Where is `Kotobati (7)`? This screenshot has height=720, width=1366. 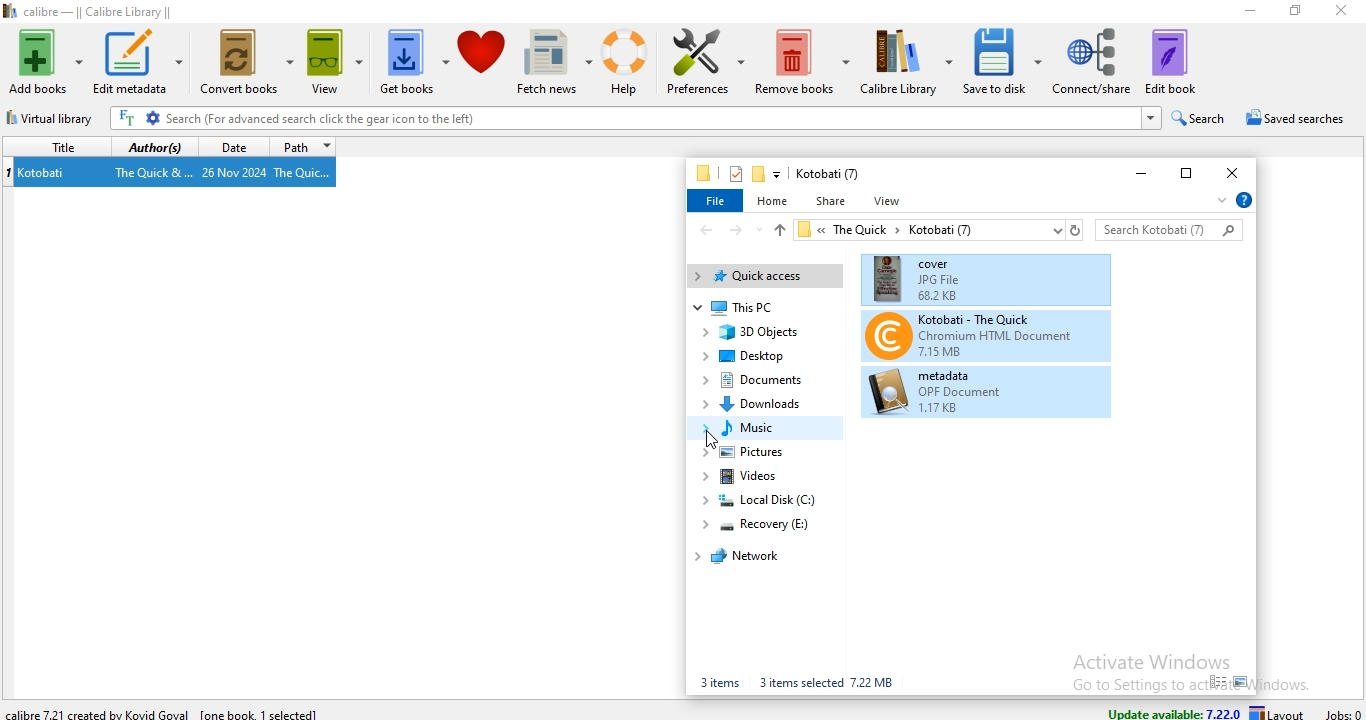
Kotobati (7) is located at coordinates (827, 174).